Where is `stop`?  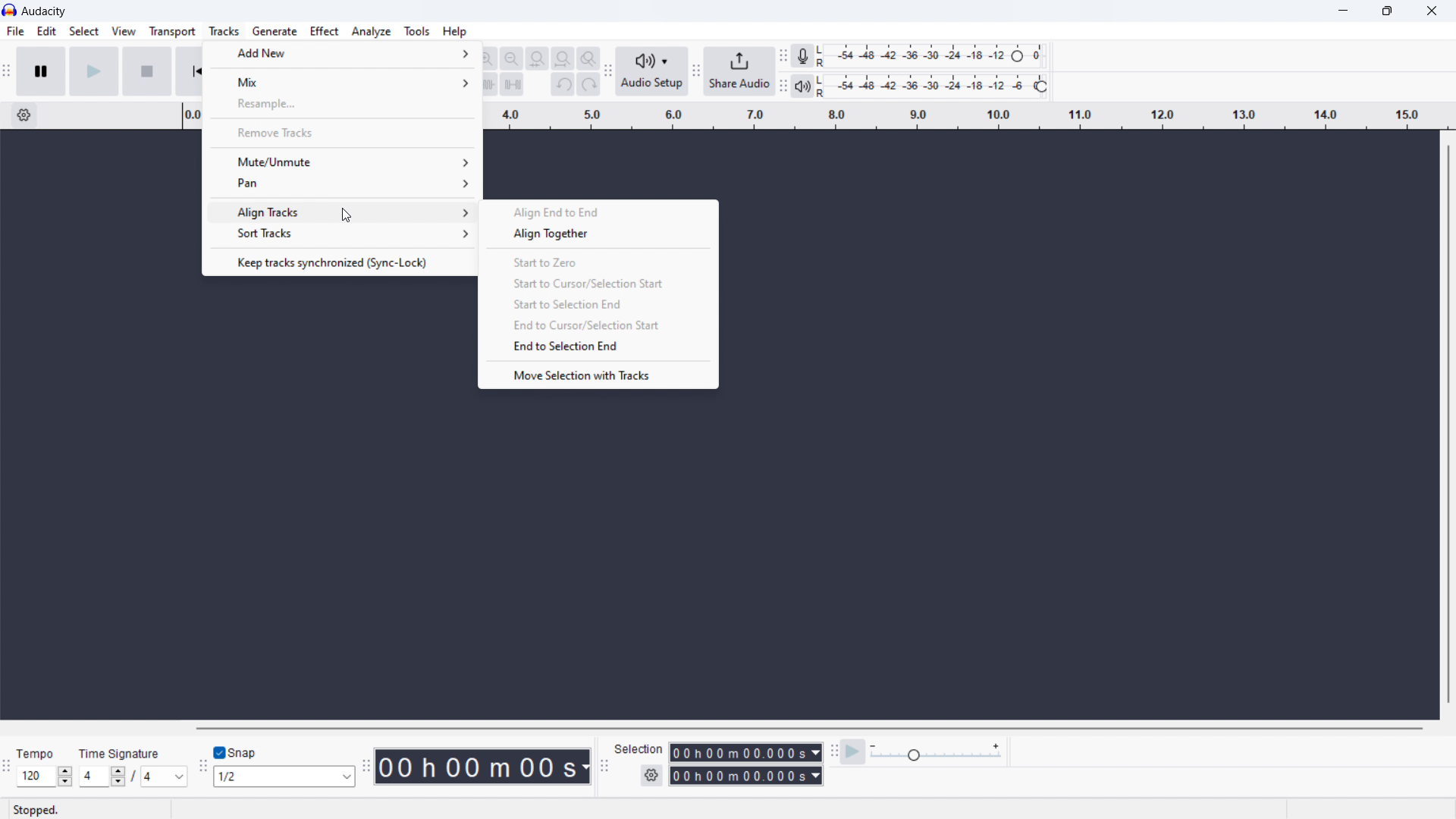
stop is located at coordinates (146, 71).